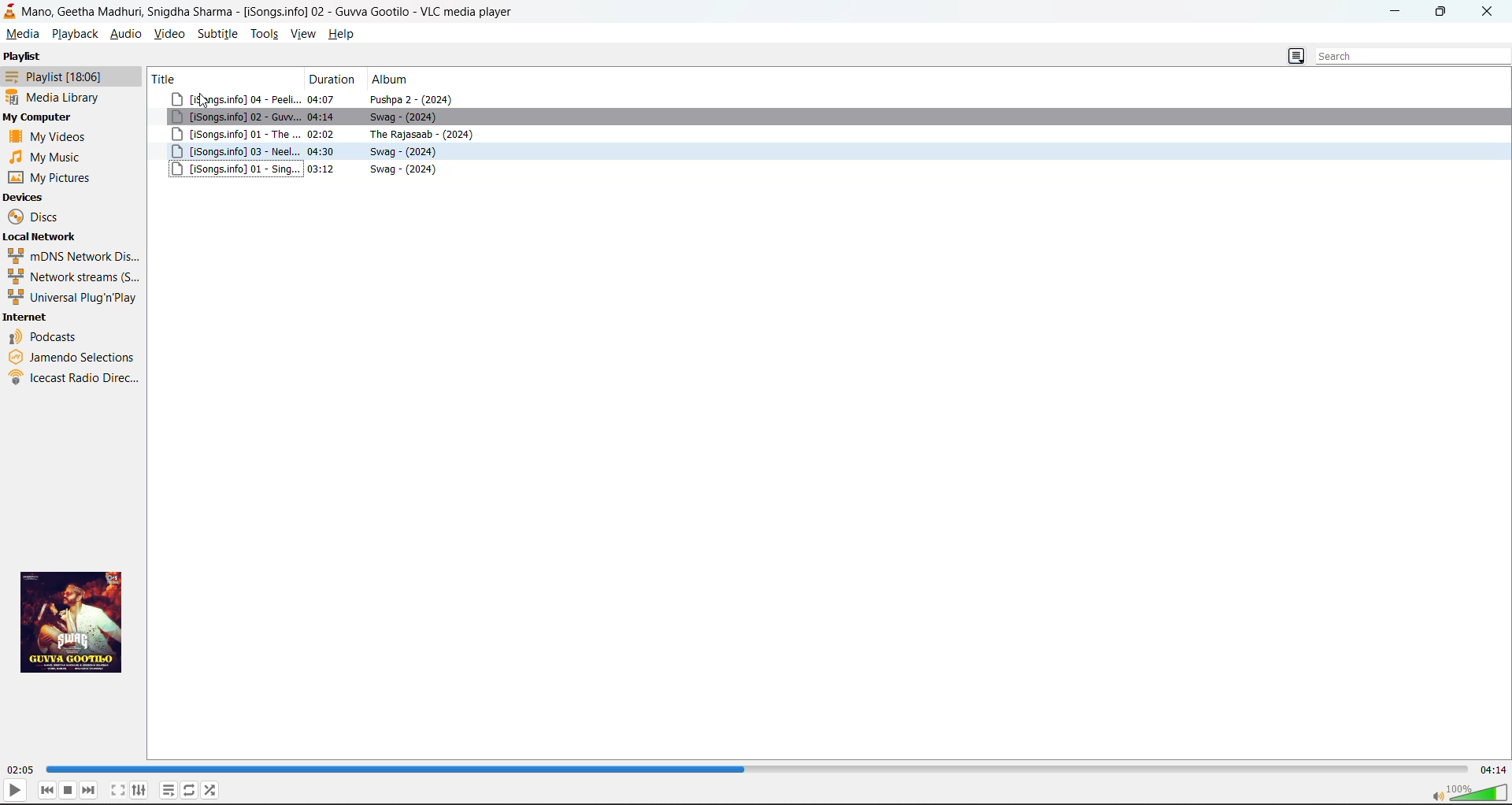  What do you see at coordinates (118, 790) in the screenshot?
I see `toggle fullscreen` at bounding box center [118, 790].